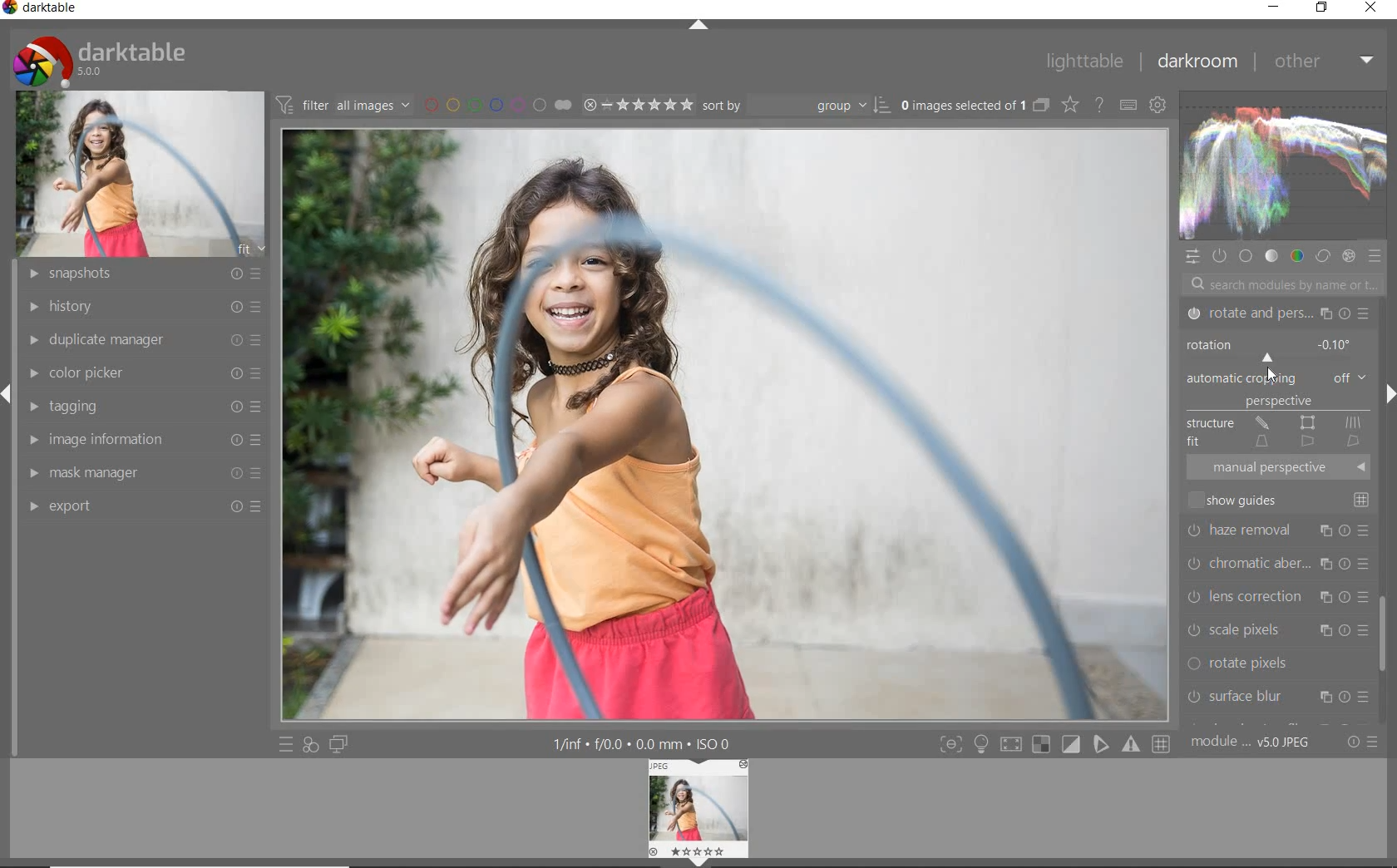 The image size is (1397, 868). I want to click on collapse grouped images, so click(1041, 106).